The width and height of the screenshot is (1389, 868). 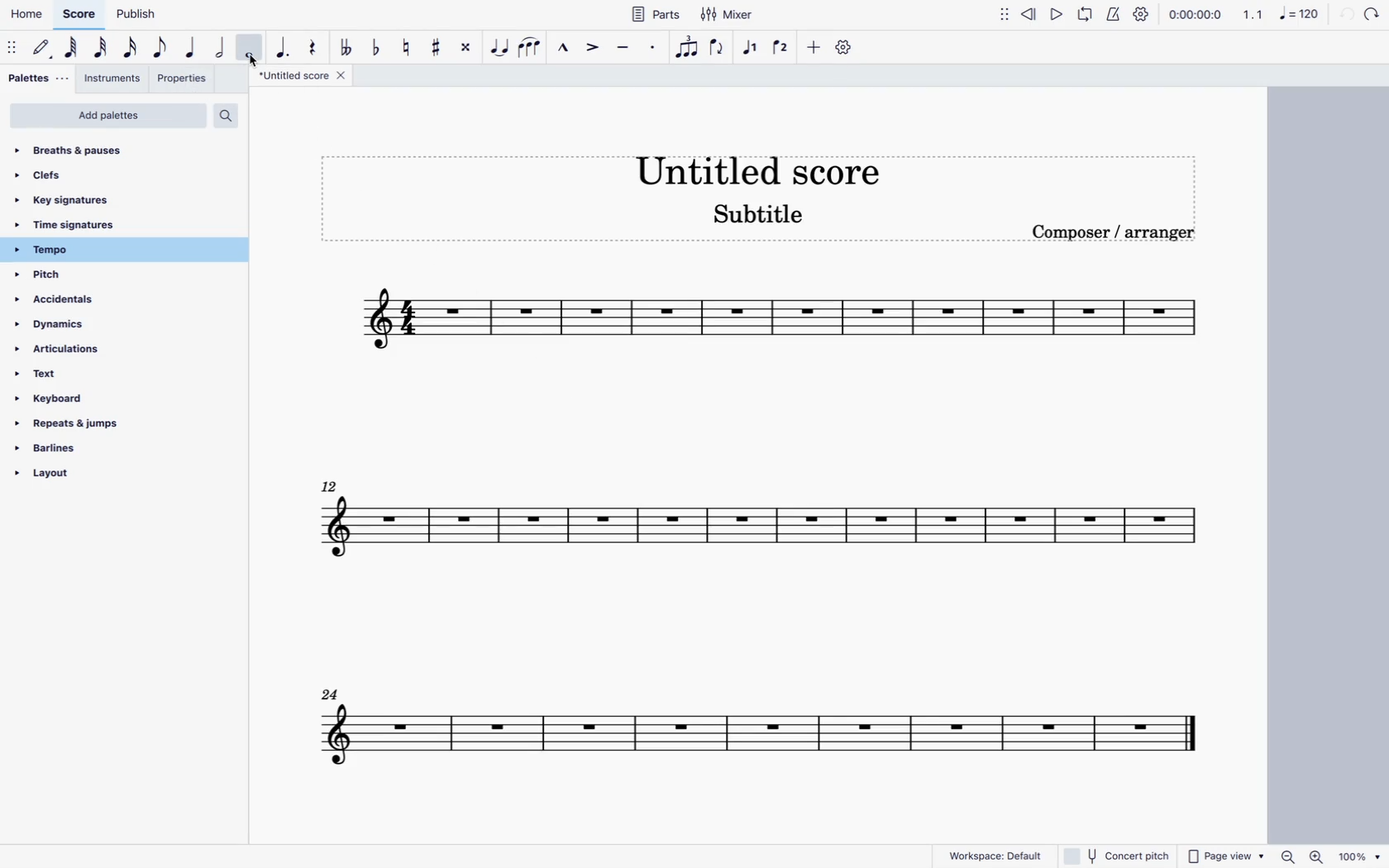 I want to click on zoom, so click(x=1331, y=856).